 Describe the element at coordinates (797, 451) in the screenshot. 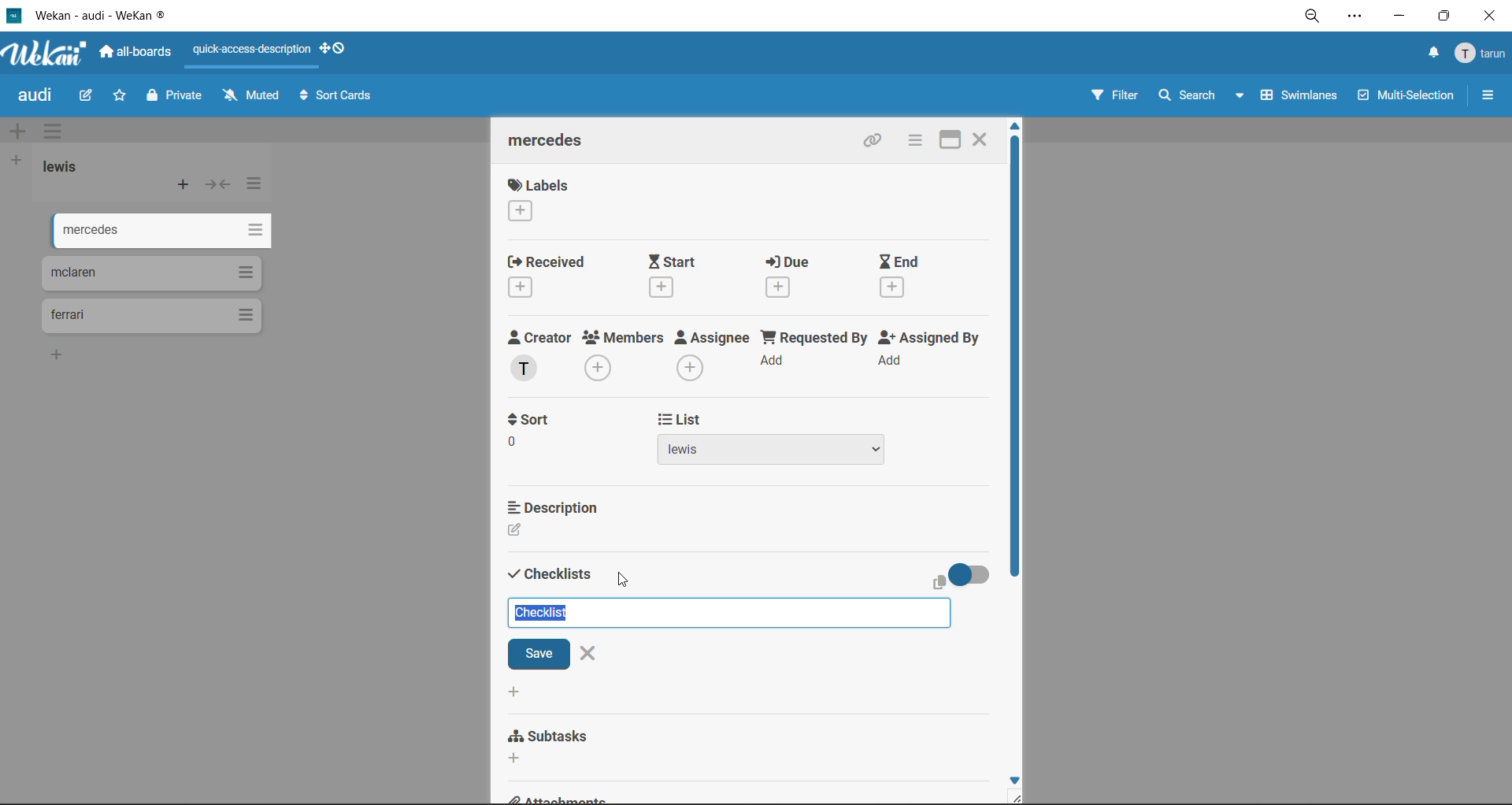

I see `list` at that location.